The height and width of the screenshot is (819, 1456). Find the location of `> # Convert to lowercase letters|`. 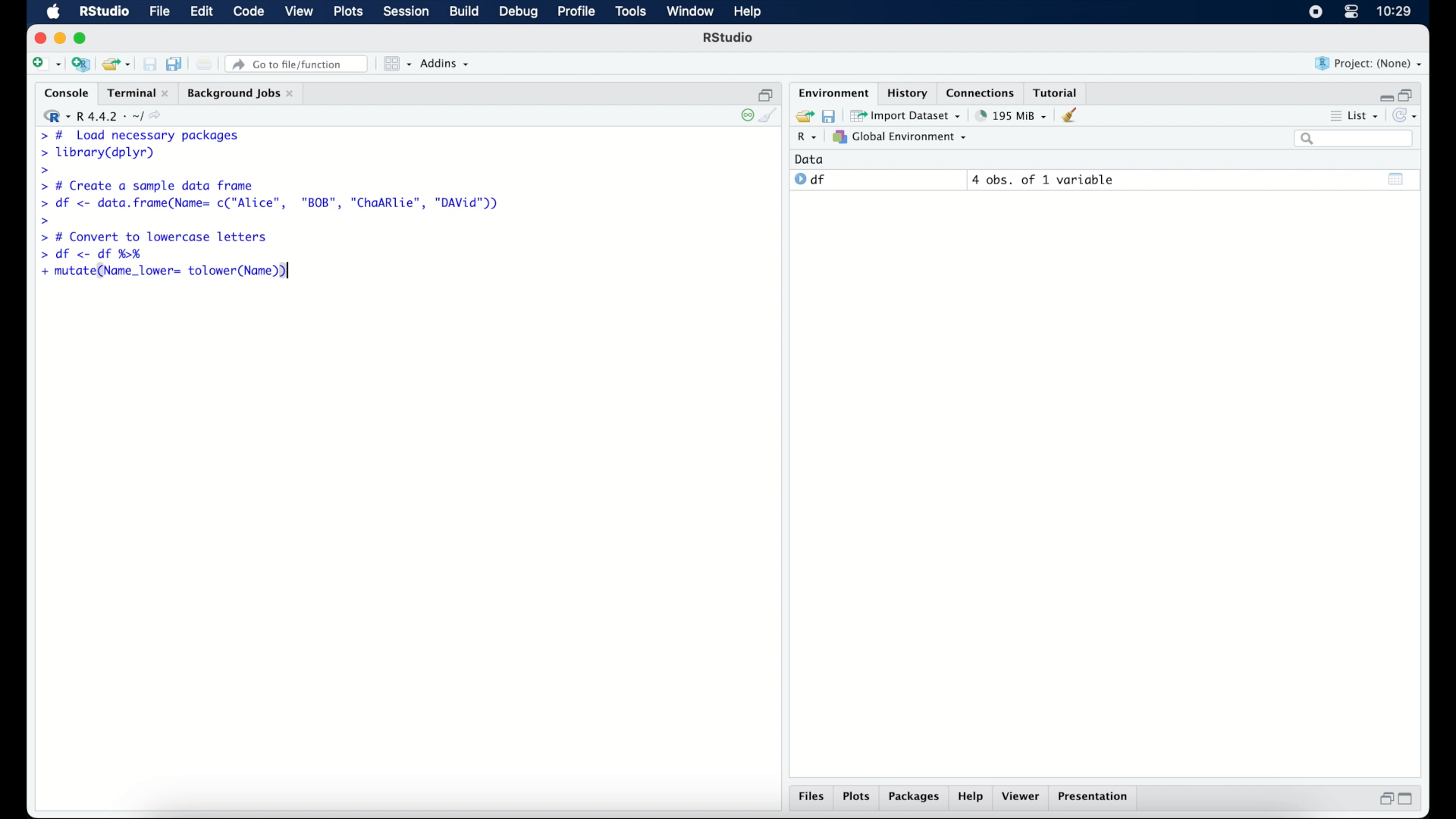

> # Convert to lowercase letters| is located at coordinates (155, 237).